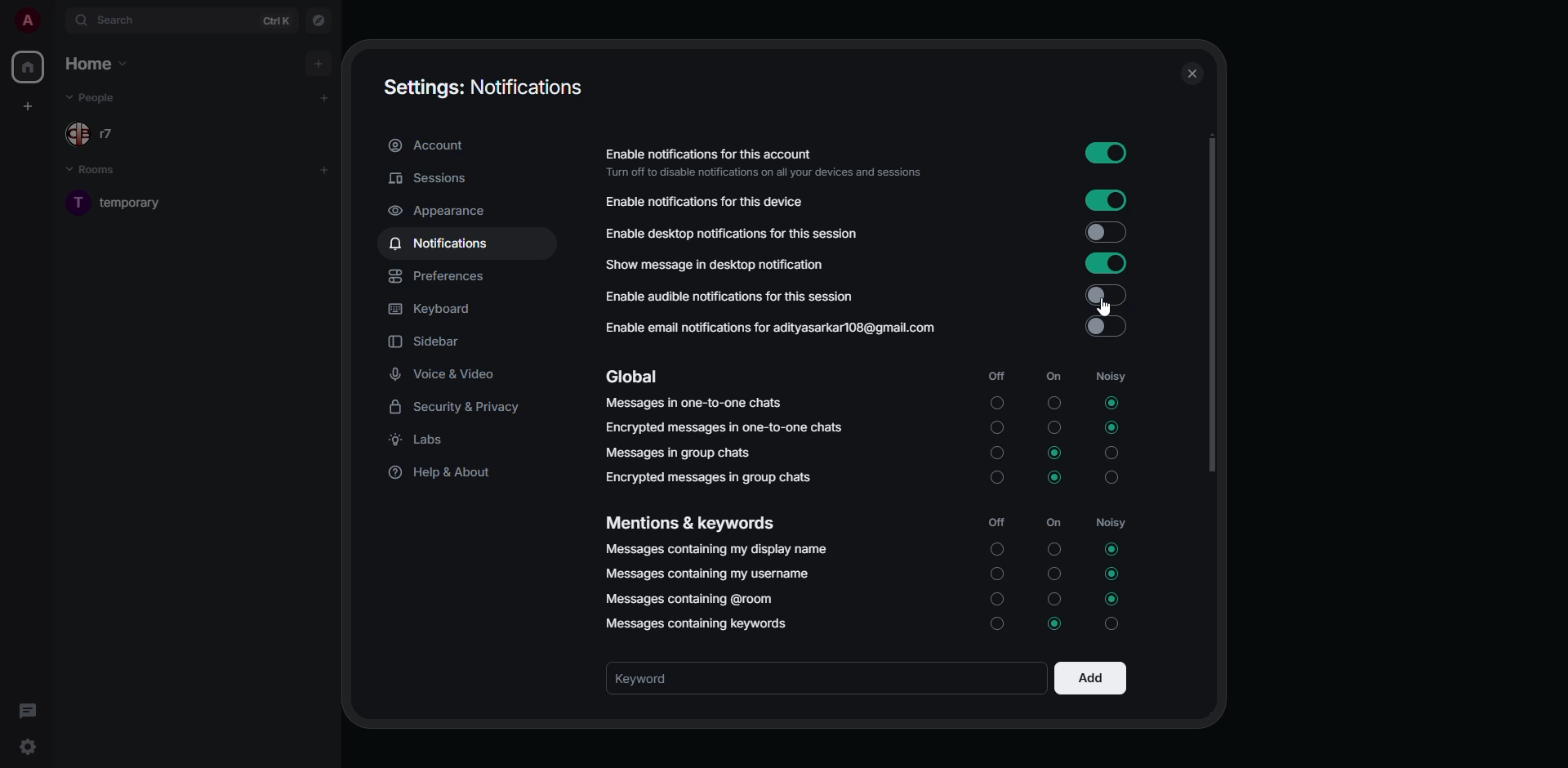  What do you see at coordinates (98, 171) in the screenshot?
I see `rooms` at bounding box center [98, 171].